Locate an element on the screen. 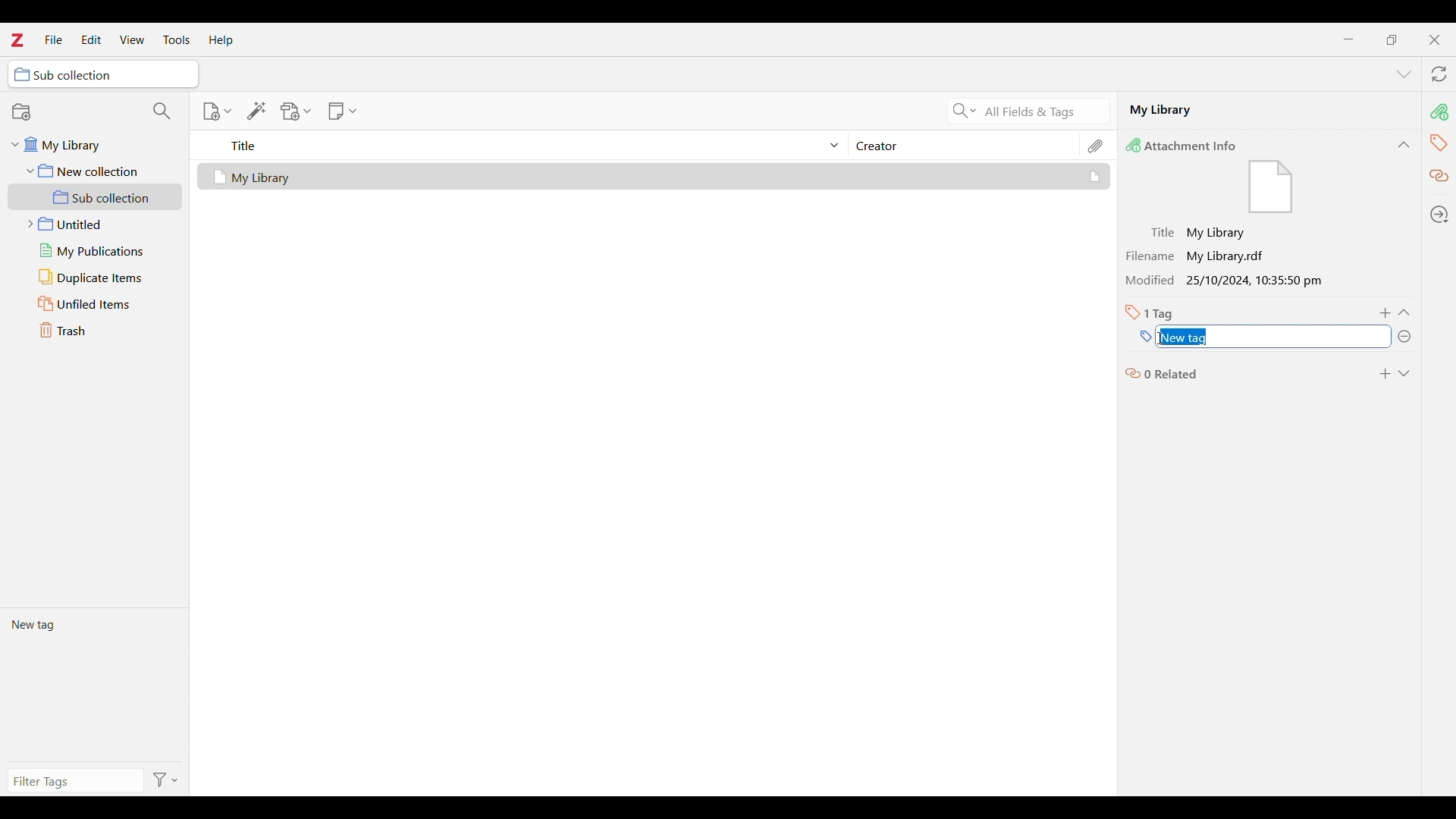  Selected folder is located at coordinates (103, 74).